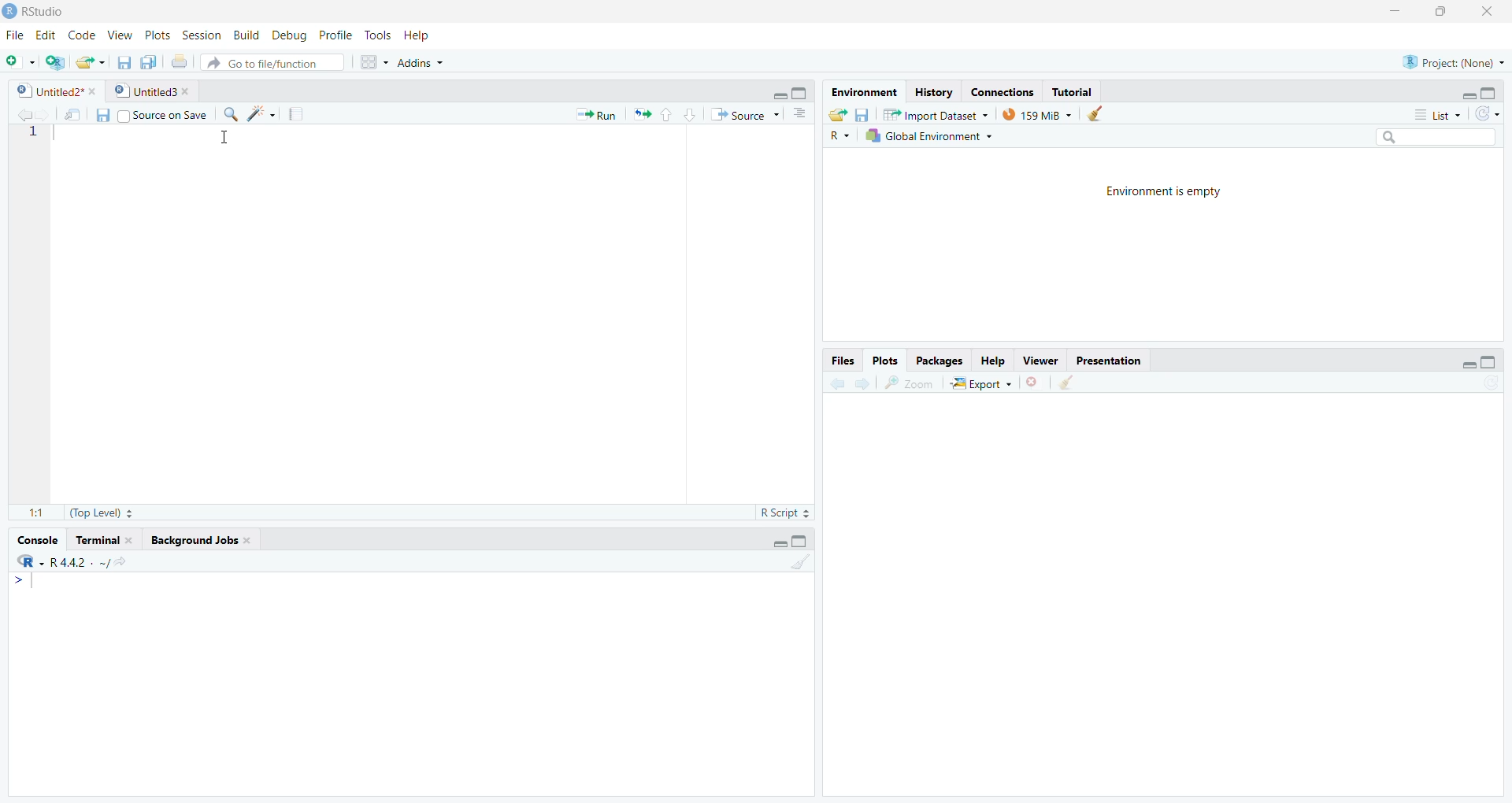 The width and height of the screenshot is (1512, 803). What do you see at coordinates (26, 584) in the screenshot?
I see `Typing indicator` at bounding box center [26, 584].